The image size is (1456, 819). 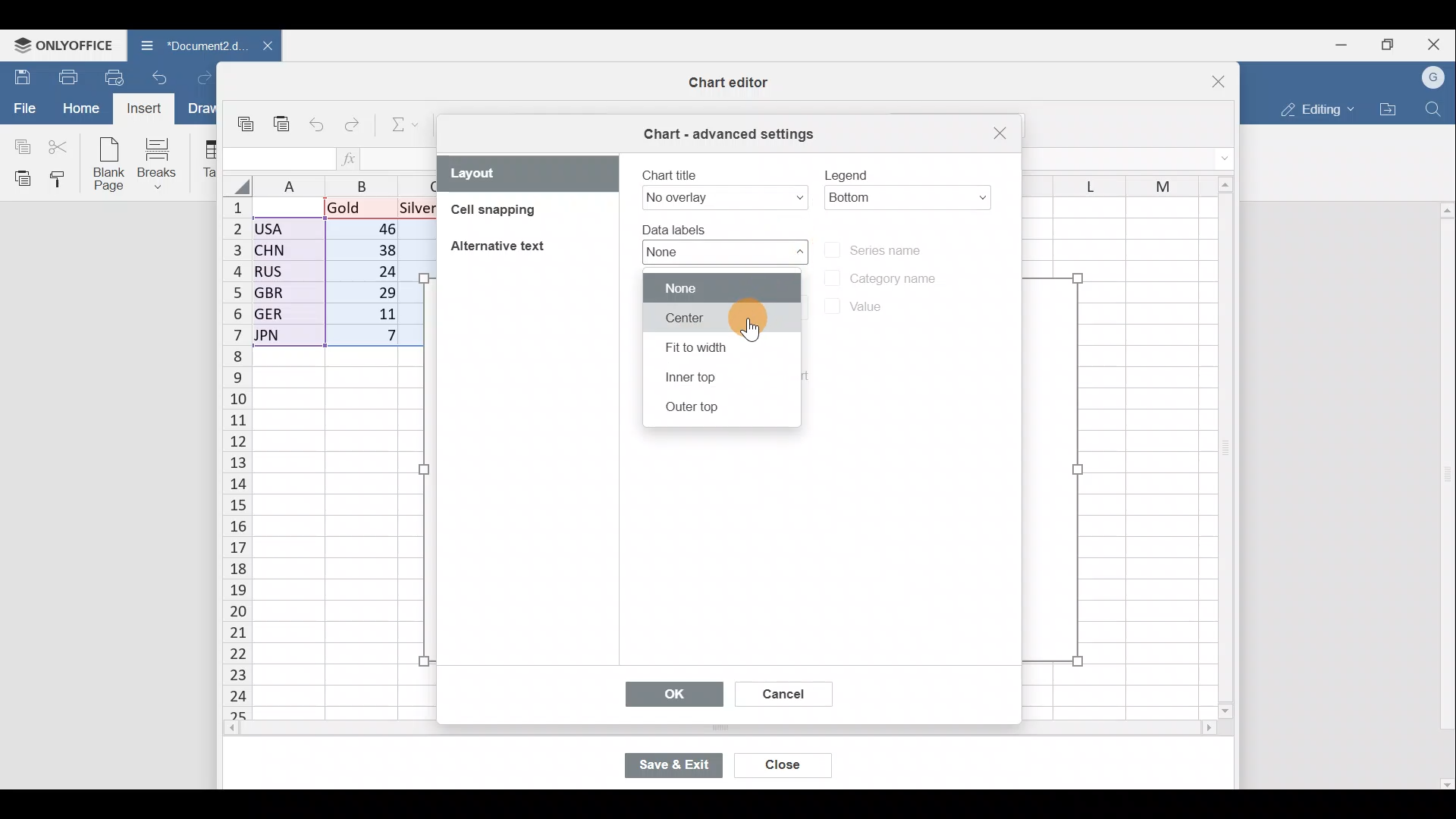 What do you see at coordinates (1388, 109) in the screenshot?
I see `Open file location` at bounding box center [1388, 109].